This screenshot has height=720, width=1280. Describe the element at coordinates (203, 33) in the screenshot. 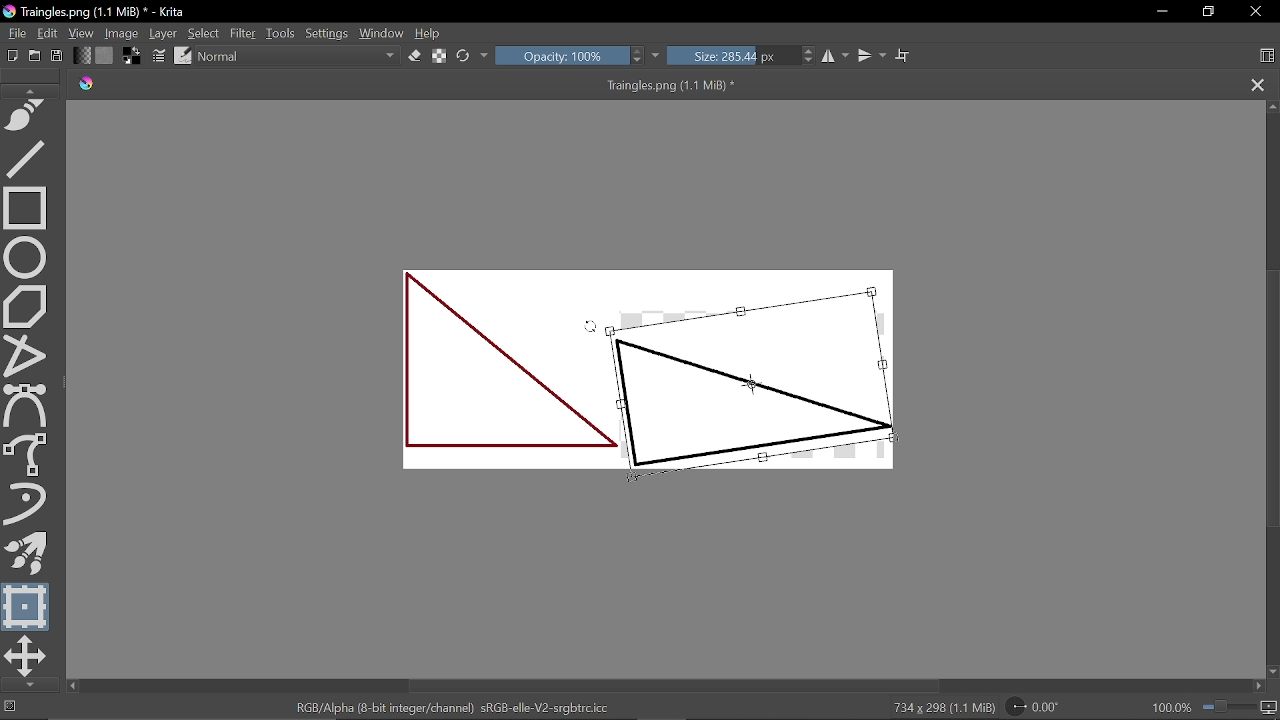

I see `Select` at that location.